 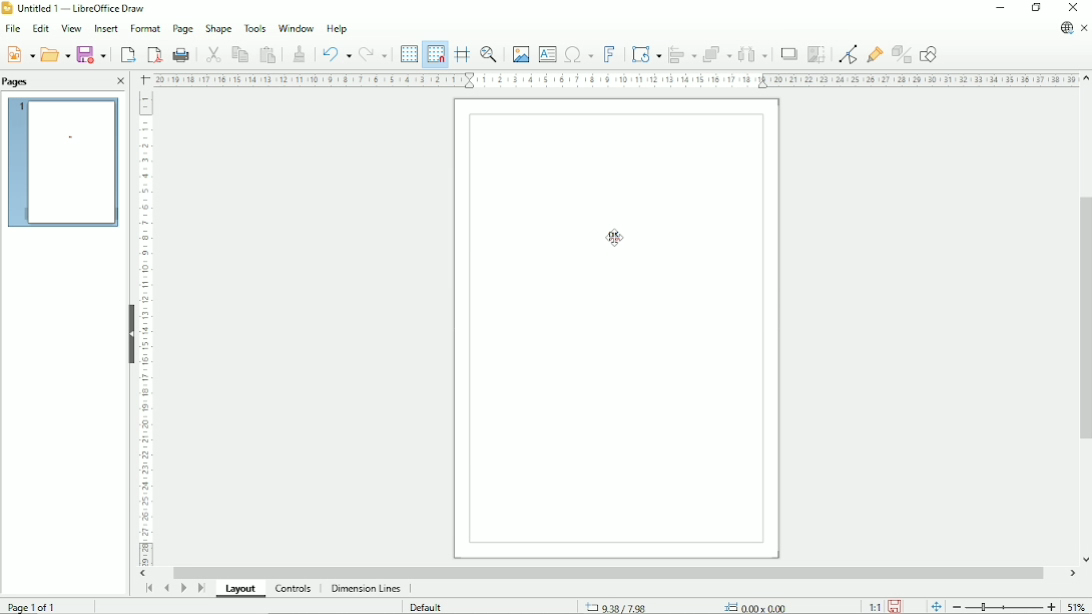 I want to click on Page, so click(x=181, y=29).